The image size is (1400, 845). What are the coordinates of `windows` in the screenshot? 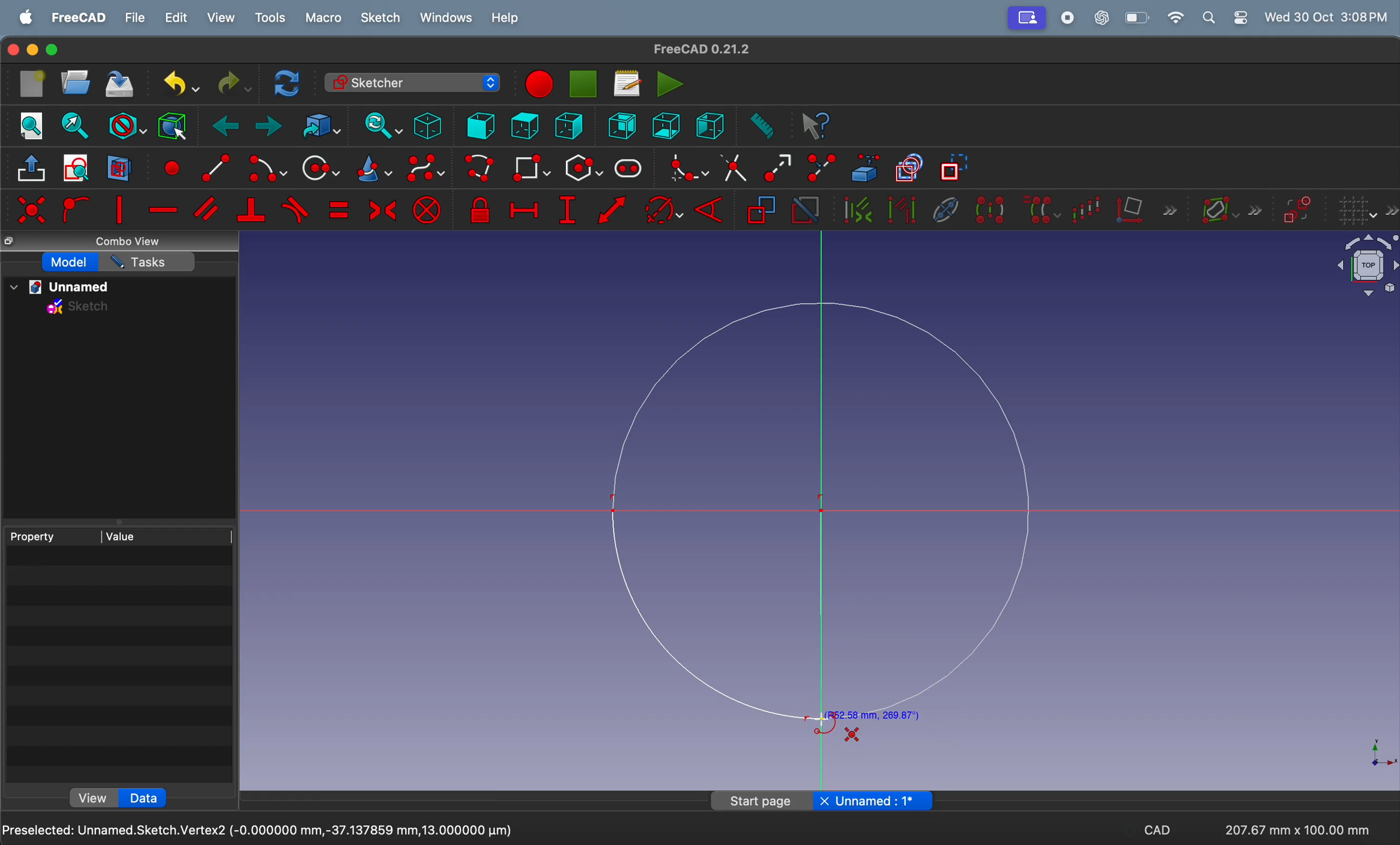 It's located at (447, 18).